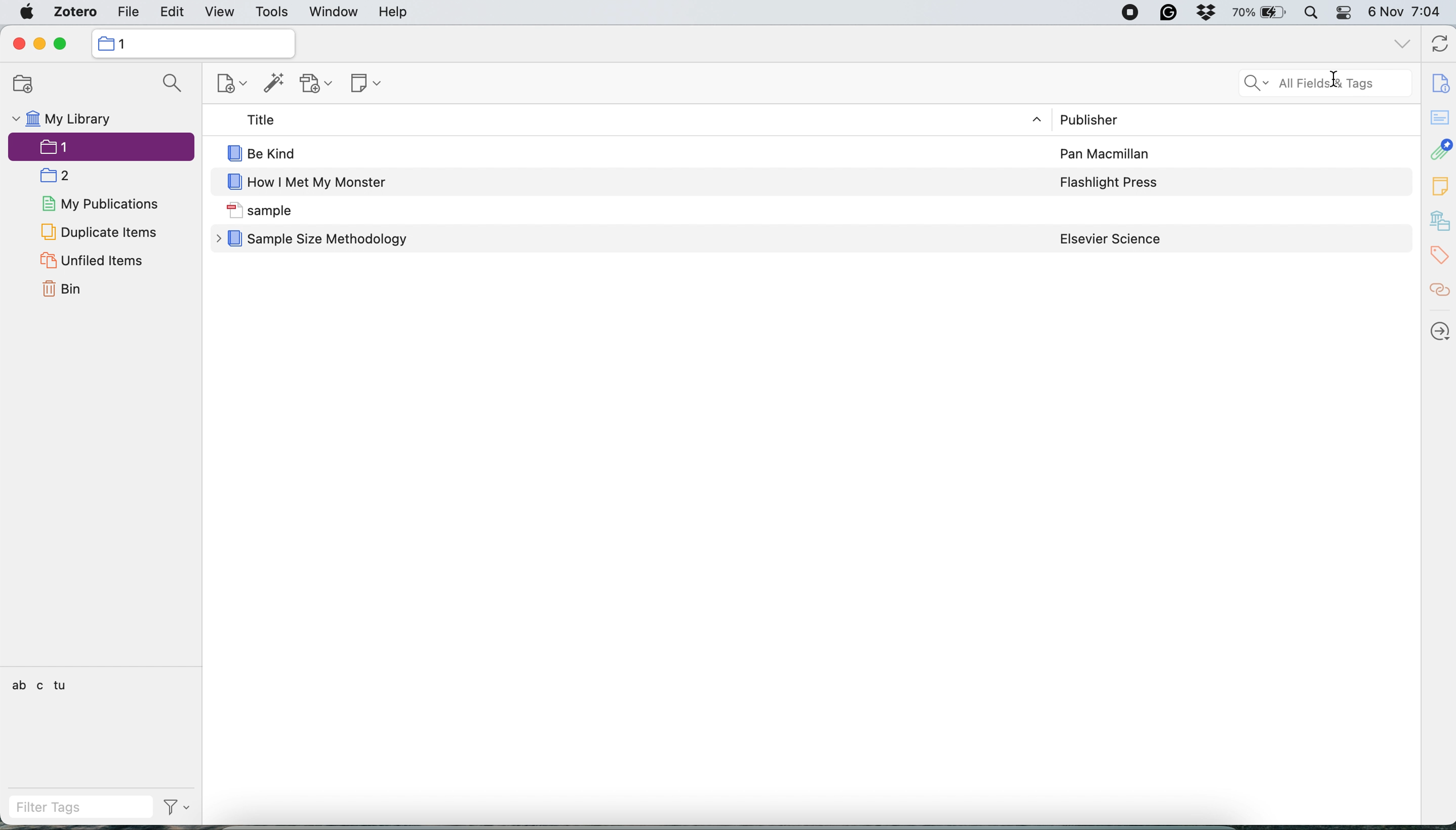 The image size is (1456, 830). I want to click on library and collections, so click(1439, 221).